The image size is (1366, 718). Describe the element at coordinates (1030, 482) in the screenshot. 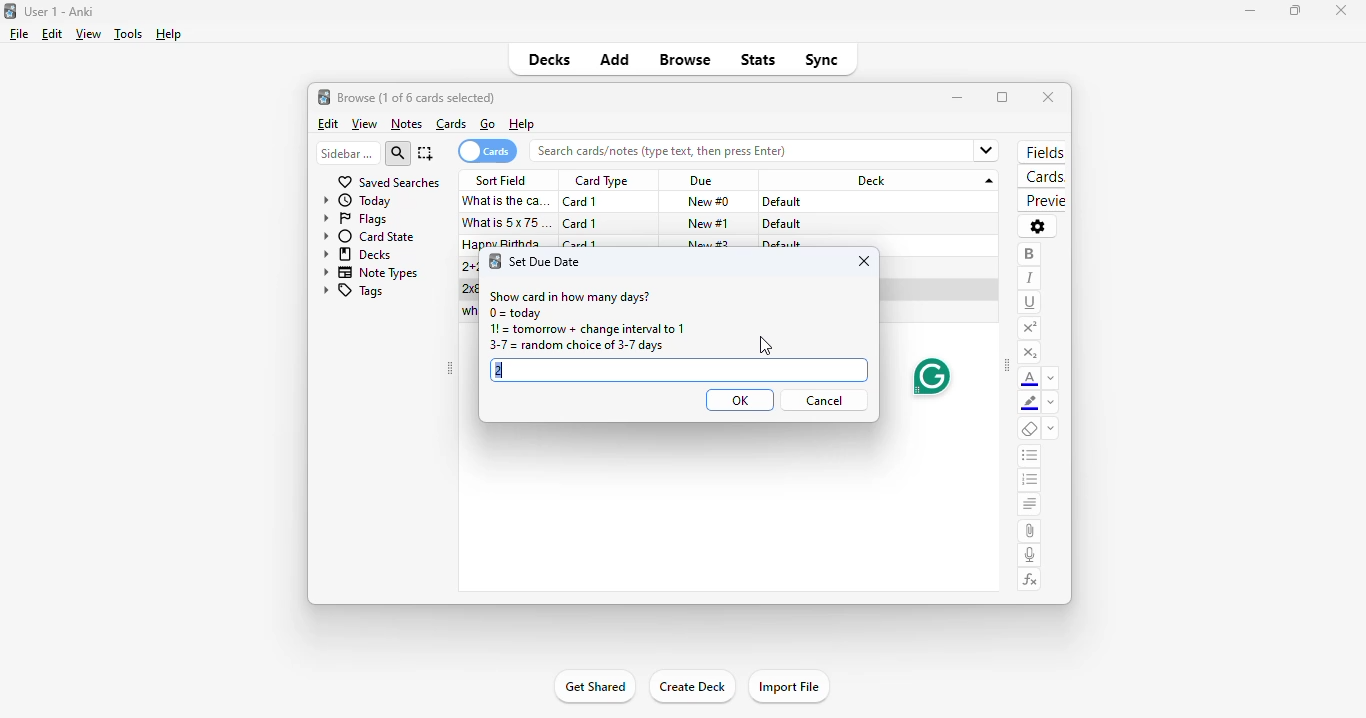

I see `ordered list` at that location.